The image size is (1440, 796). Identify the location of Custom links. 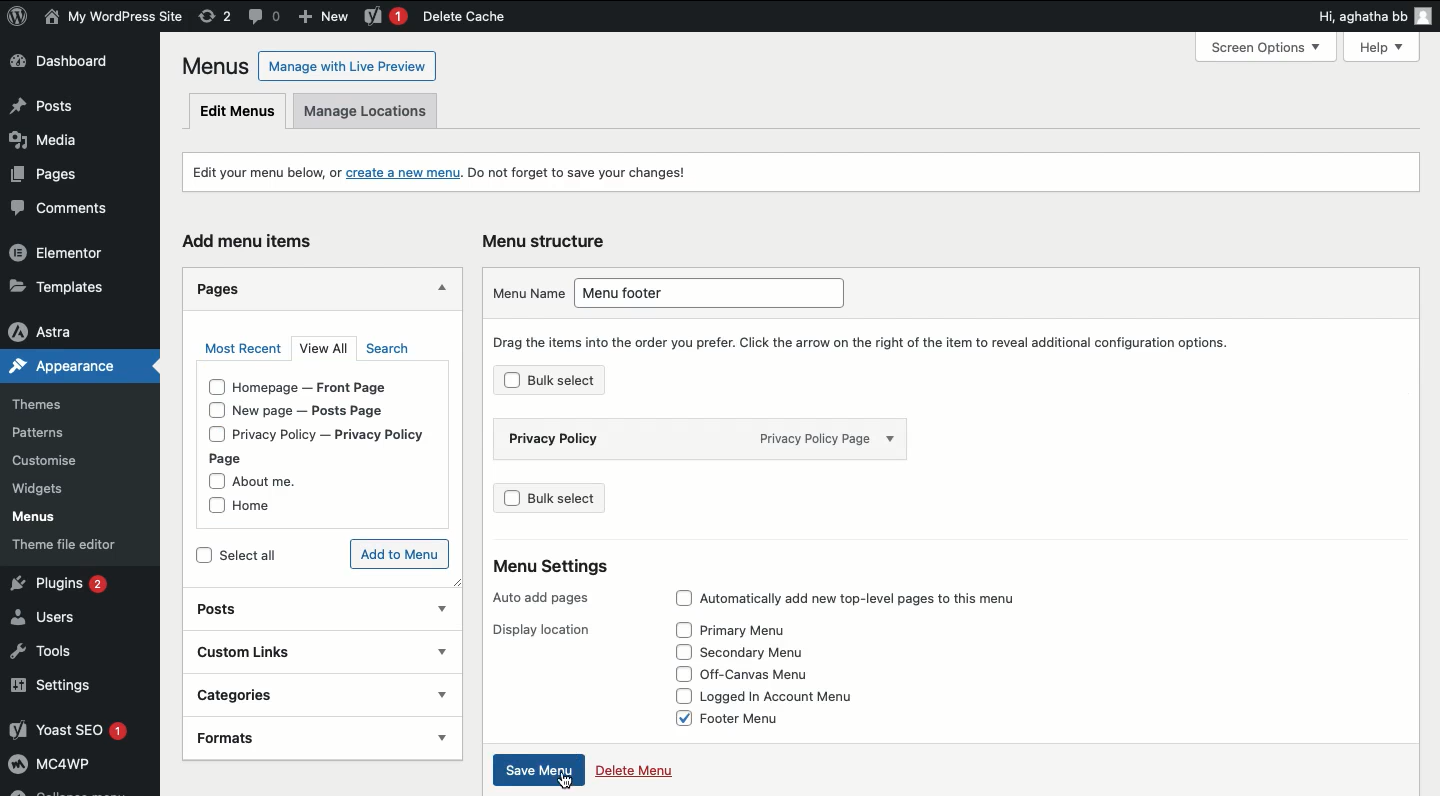
(293, 652).